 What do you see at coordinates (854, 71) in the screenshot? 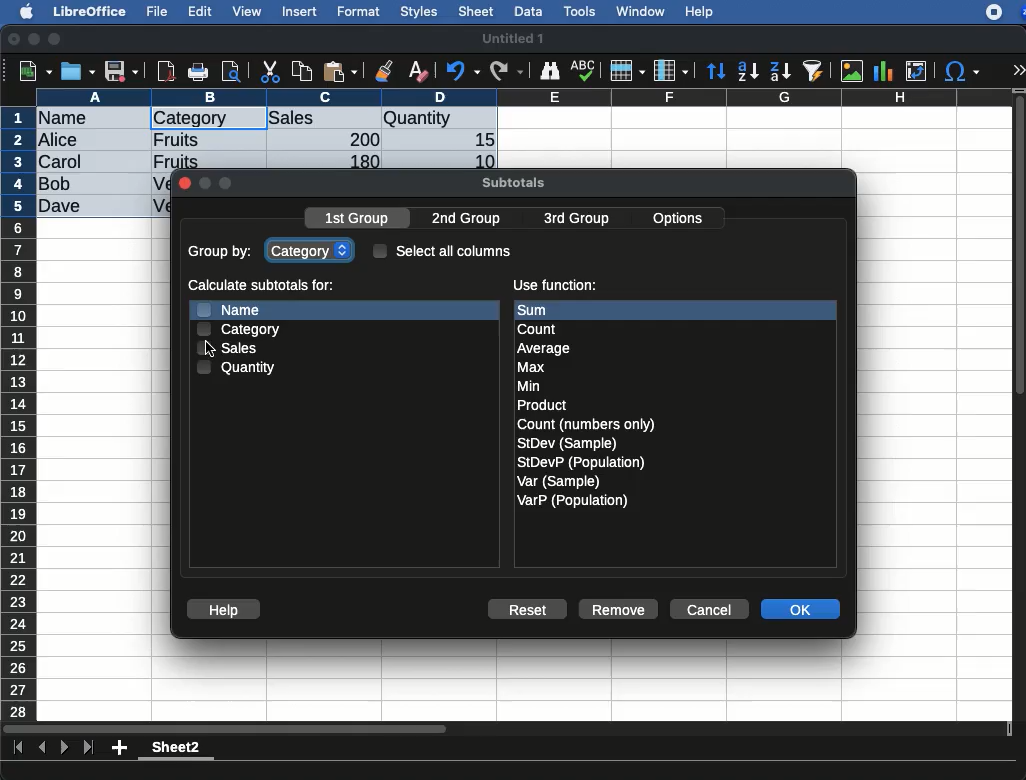
I see `image` at bounding box center [854, 71].